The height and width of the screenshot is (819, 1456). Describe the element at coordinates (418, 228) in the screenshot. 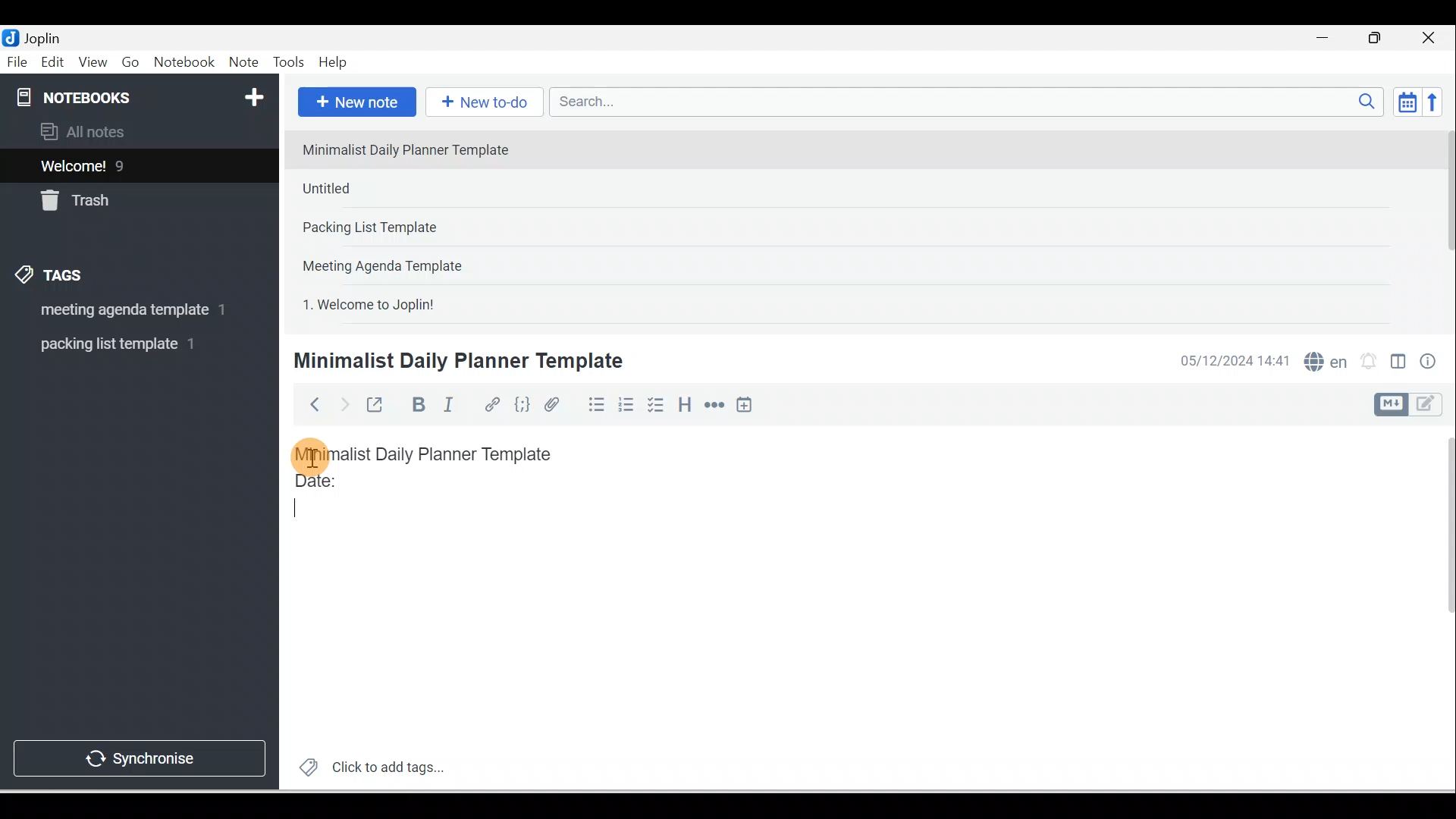

I see `Note 3` at that location.